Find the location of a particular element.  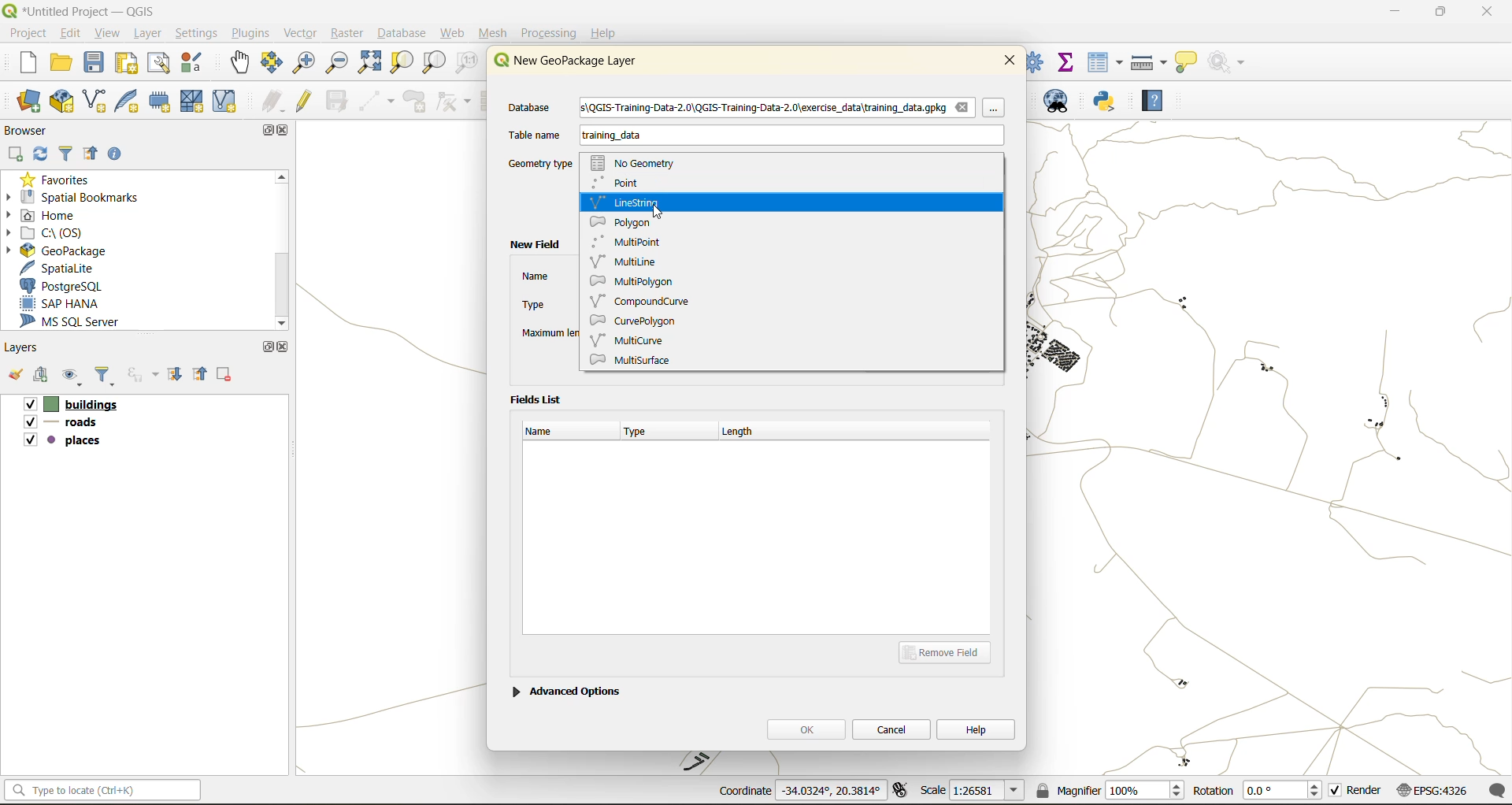

browser is located at coordinates (31, 130).